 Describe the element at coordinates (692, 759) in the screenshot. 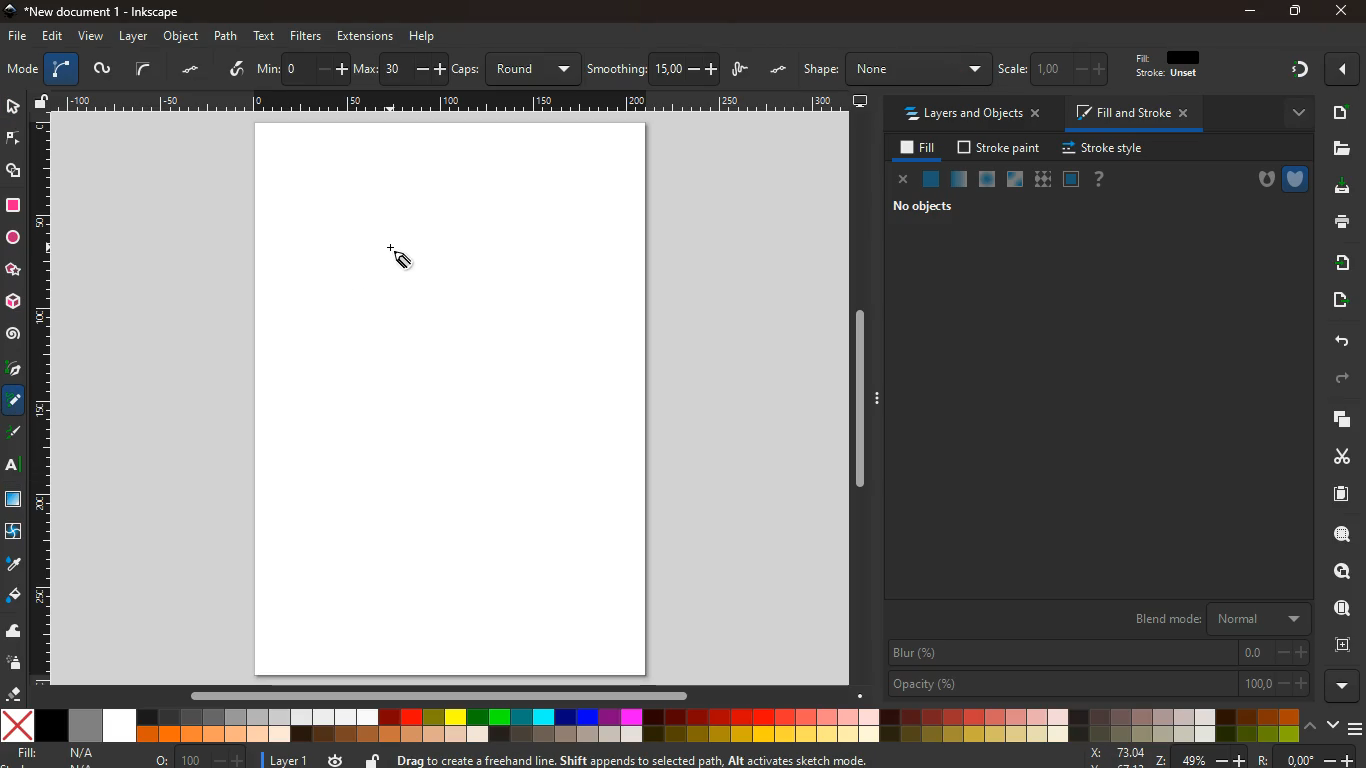

I see `No objects selected. Click Shift+ click Alt+scroll mouse on top of objects. or drag around objects to select.` at that location.